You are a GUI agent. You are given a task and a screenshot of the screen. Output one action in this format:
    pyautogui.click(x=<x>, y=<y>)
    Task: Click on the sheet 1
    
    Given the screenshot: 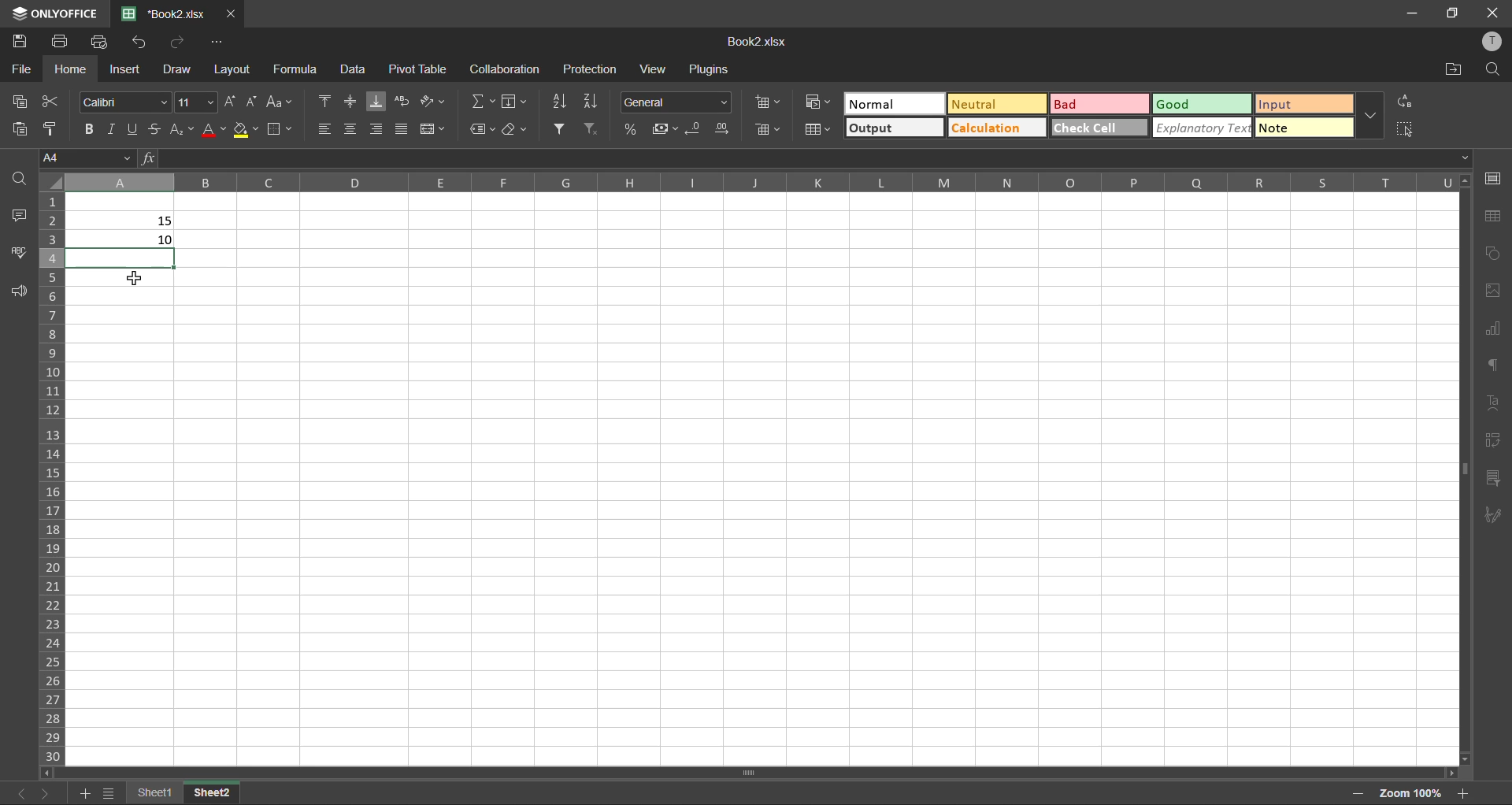 What is the action you would take?
    pyautogui.click(x=154, y=791)
    